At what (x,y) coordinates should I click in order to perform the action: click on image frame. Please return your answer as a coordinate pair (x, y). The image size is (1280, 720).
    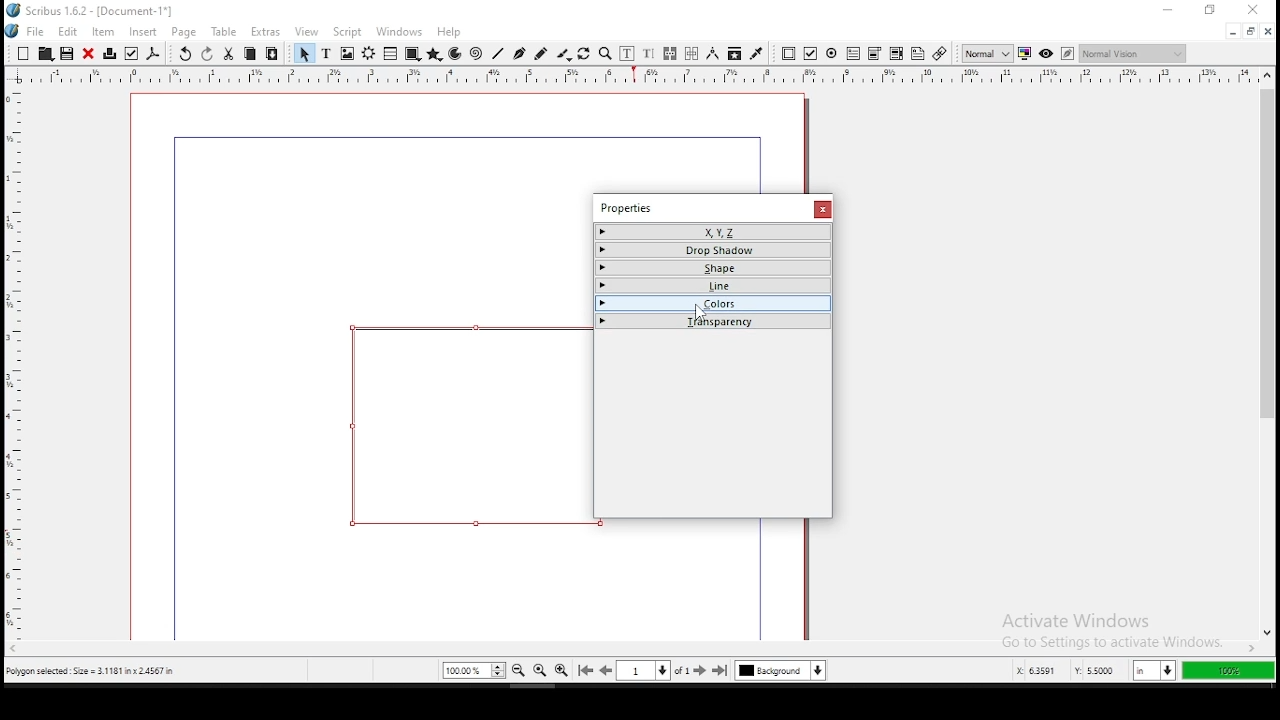
    Looking at the image, I should click on (347, 53).